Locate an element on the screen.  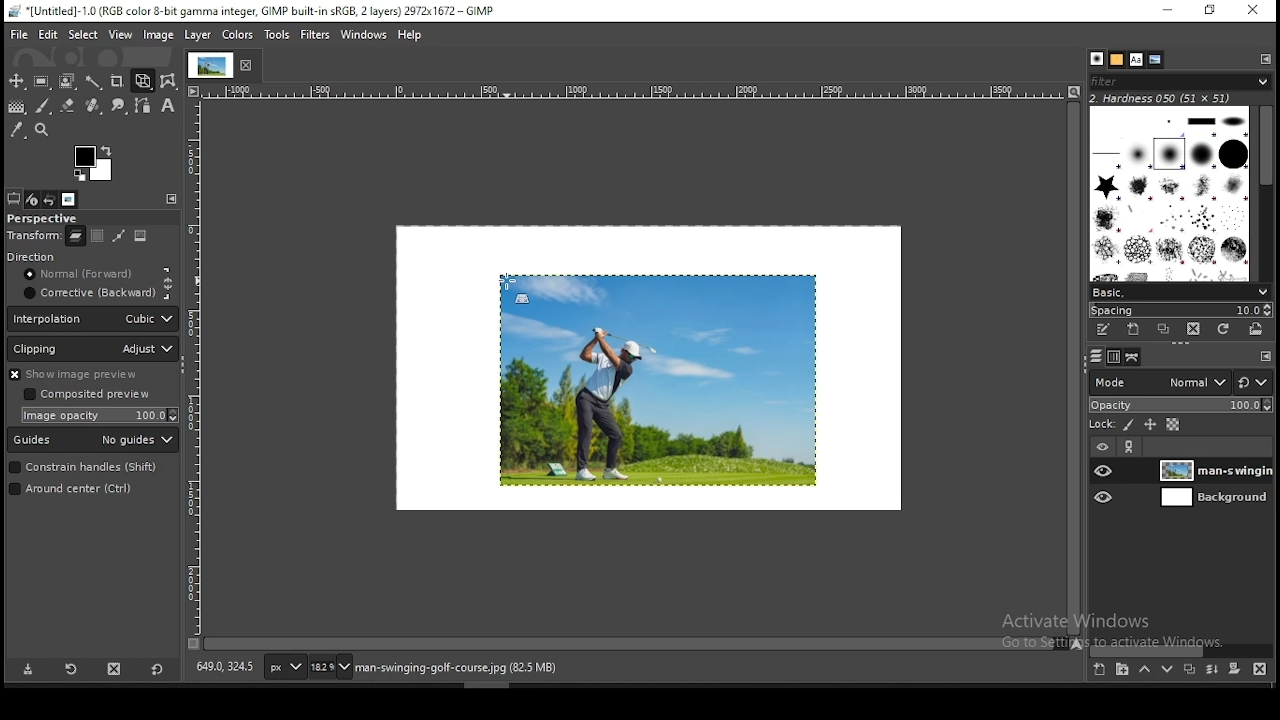
minimize is located at coordinates (1167, 10).